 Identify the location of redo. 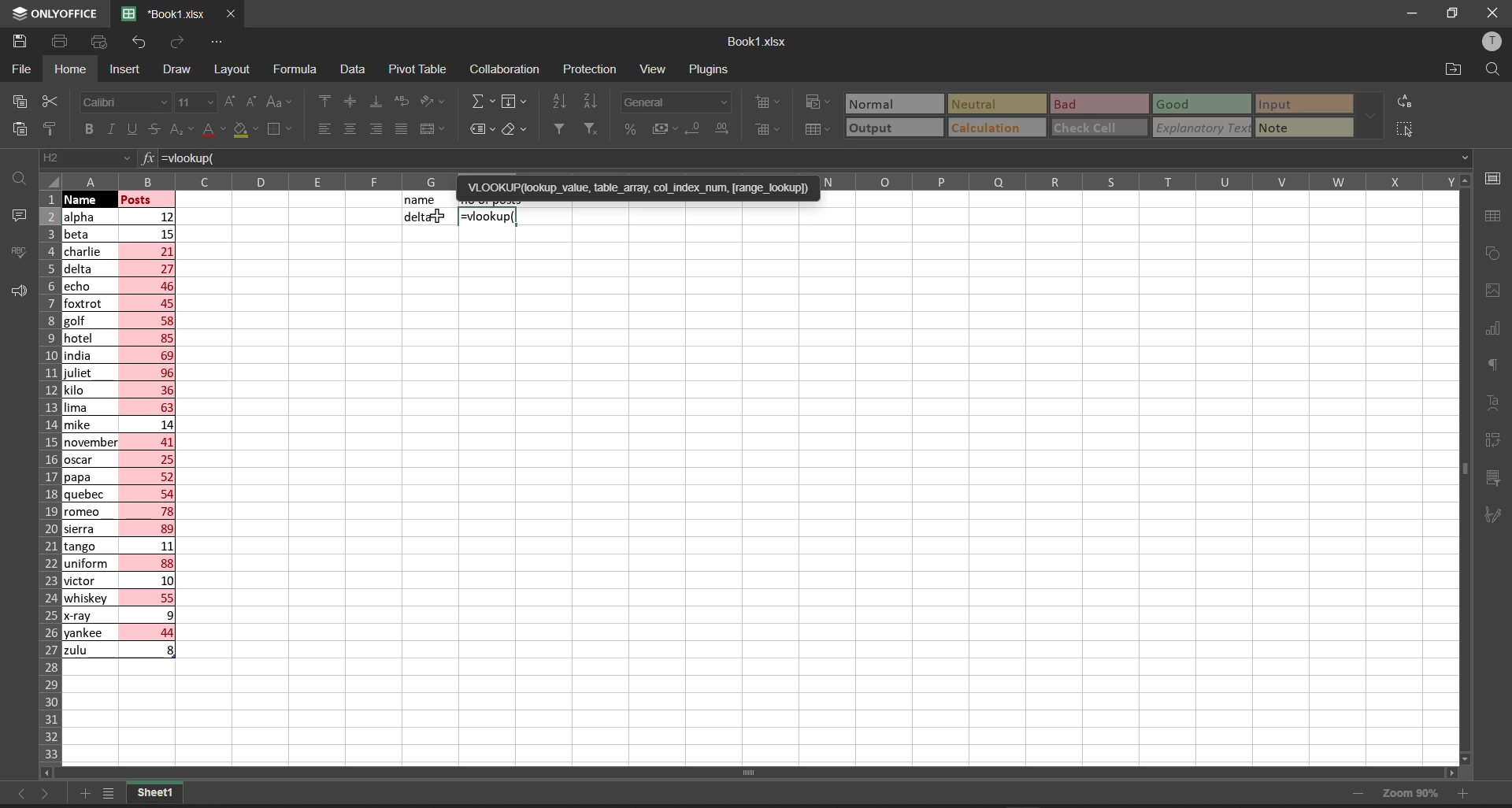
(176, 45).